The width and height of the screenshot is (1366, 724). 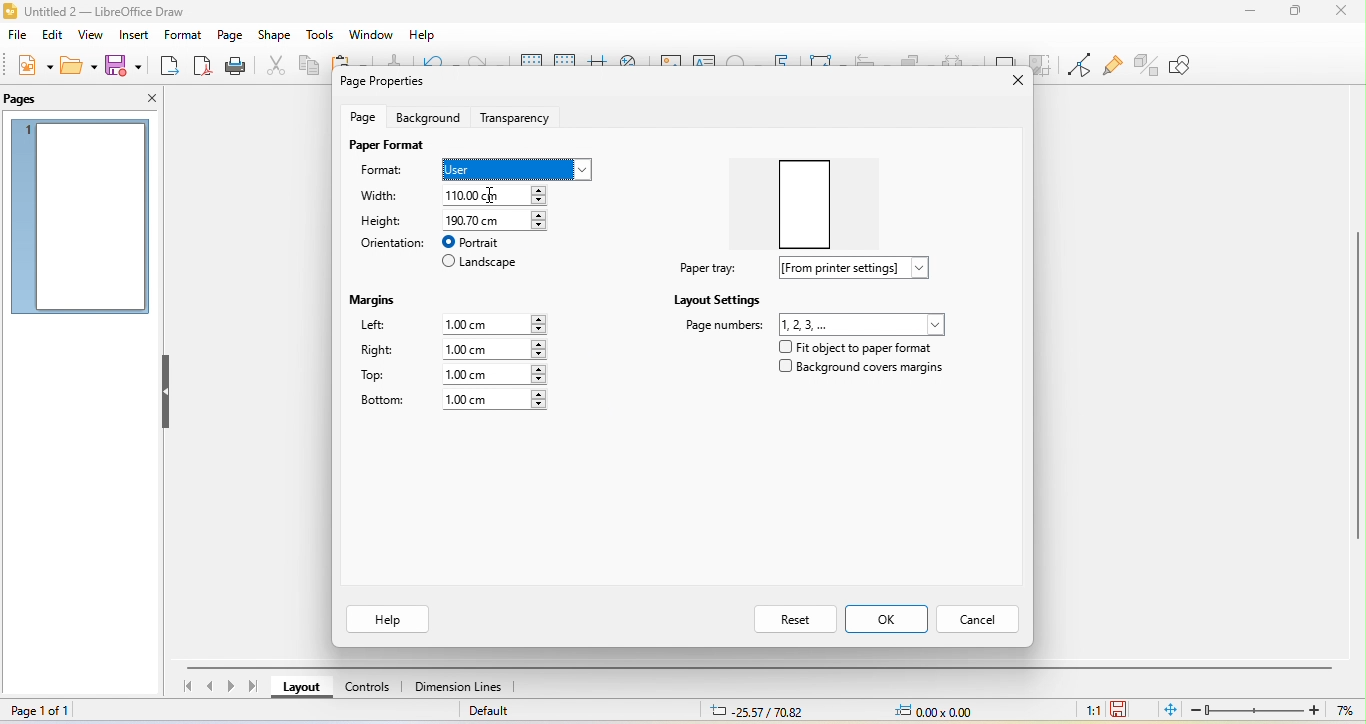 I want to click on page, so click(x=229, y=35).